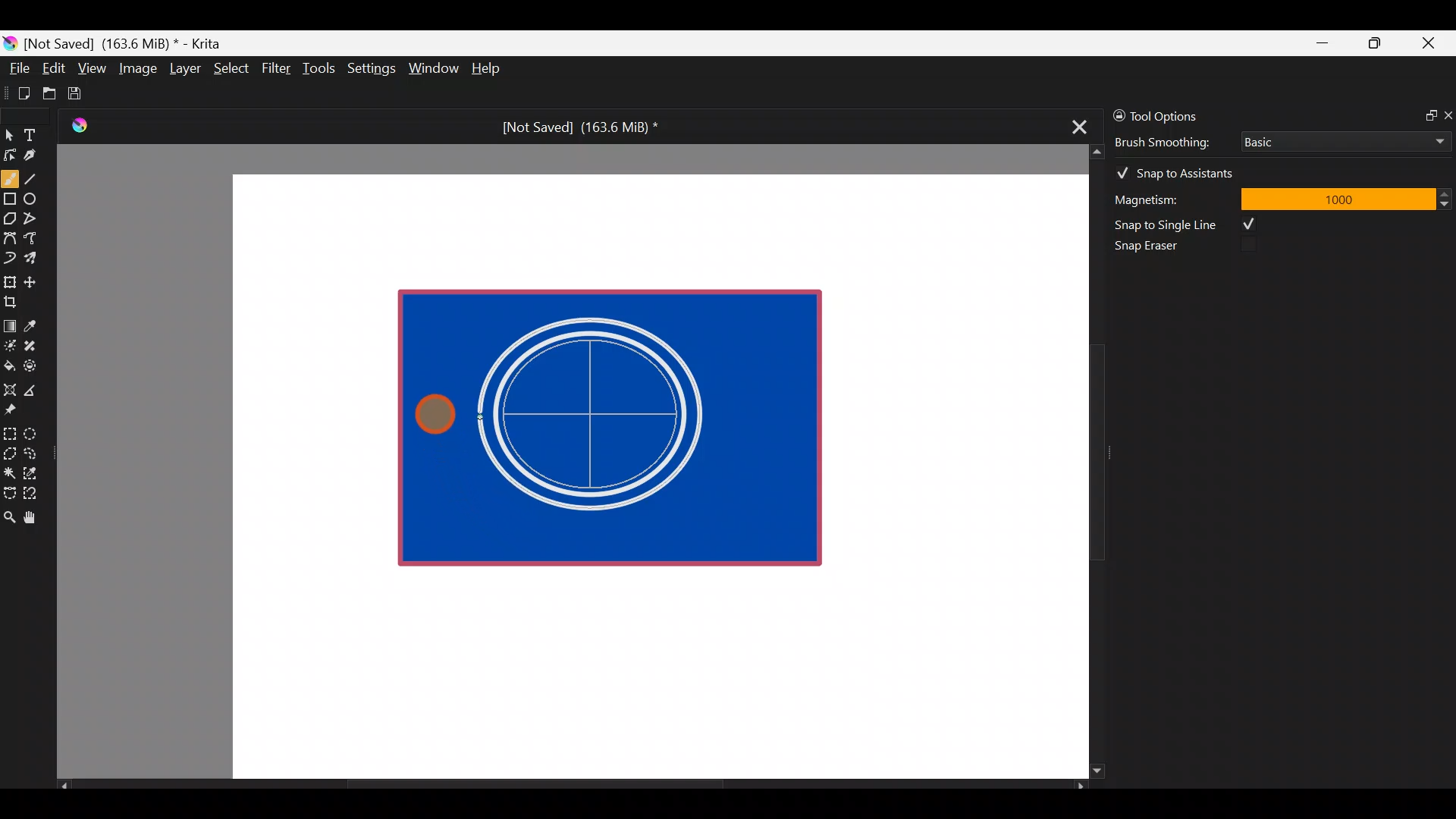 The width and height of the screenshot is (1456, 819). Describe the element at coordinates (1191, 224) in the screenshot. I see `Snap to single line` at that location.